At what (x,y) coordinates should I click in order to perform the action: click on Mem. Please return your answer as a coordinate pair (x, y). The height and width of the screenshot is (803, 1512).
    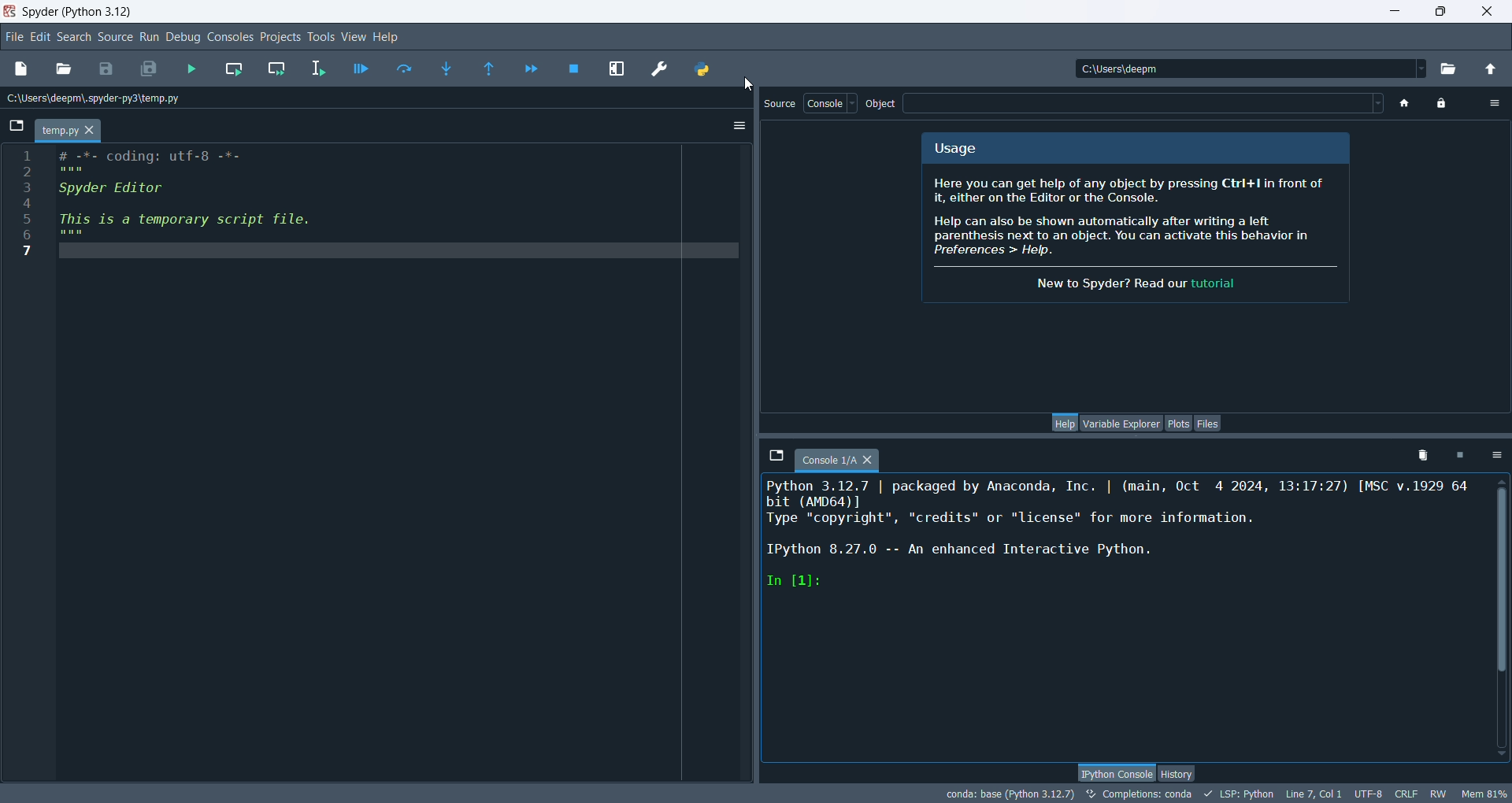
    Looking at the image, I should click on (1483, 794).